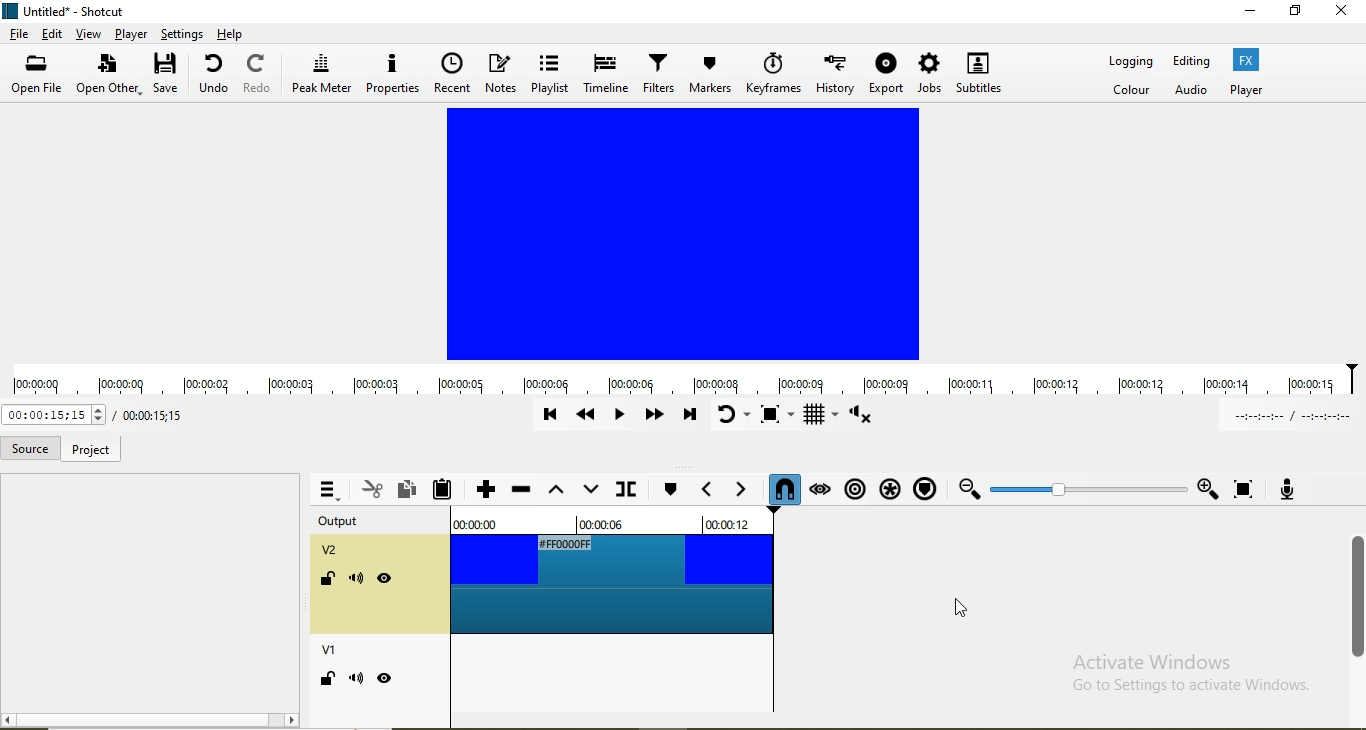 This screenshot has height=730, width=1366. What do you see at coordinates (1248, 59) in the screenshot?
I see `Fx` at bounding box center [1248, 59].